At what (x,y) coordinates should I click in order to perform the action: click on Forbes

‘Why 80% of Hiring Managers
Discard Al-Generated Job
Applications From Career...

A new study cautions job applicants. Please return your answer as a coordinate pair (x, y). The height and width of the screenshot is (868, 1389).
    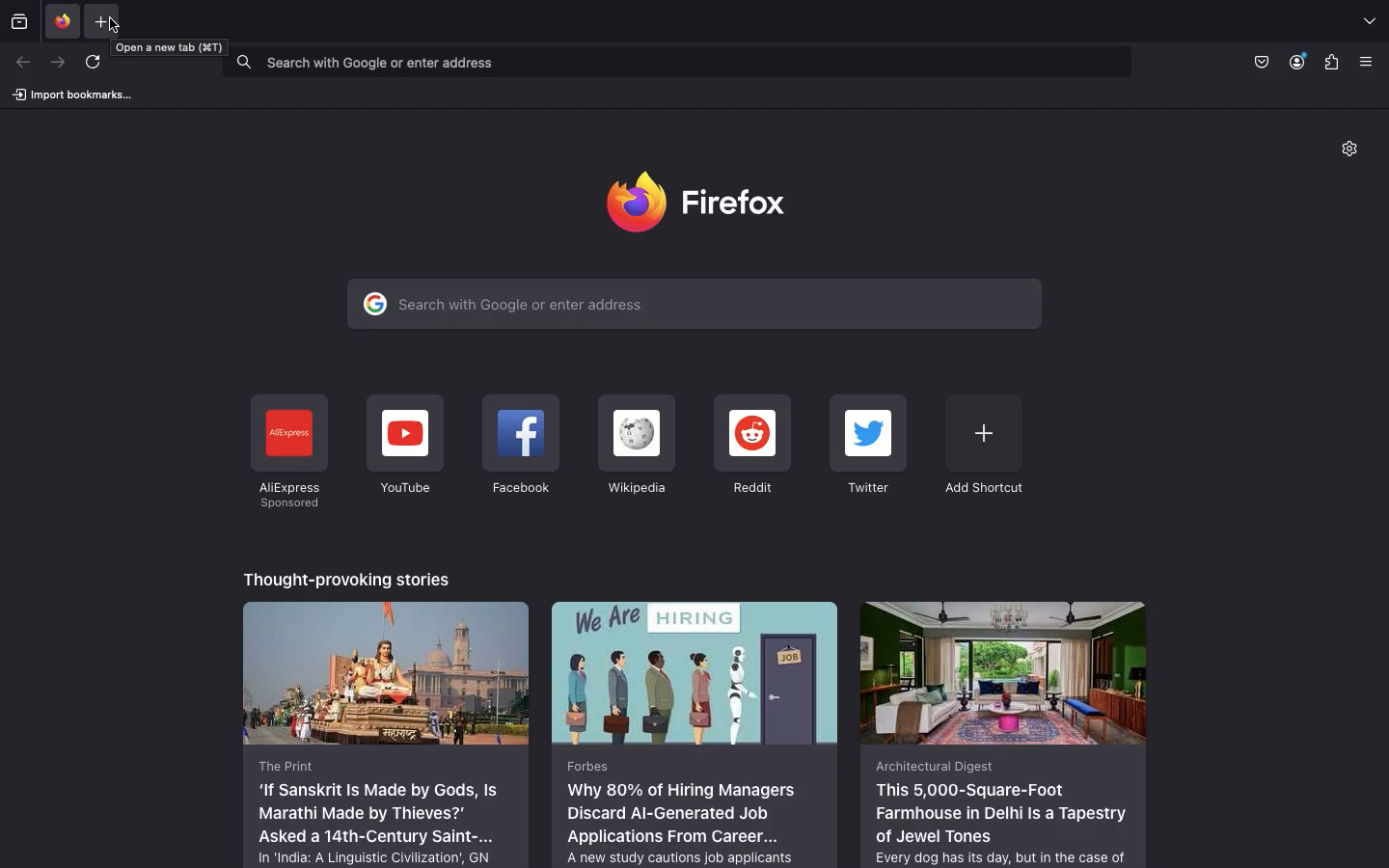
    Looking at the image, I should click on (696, 733).